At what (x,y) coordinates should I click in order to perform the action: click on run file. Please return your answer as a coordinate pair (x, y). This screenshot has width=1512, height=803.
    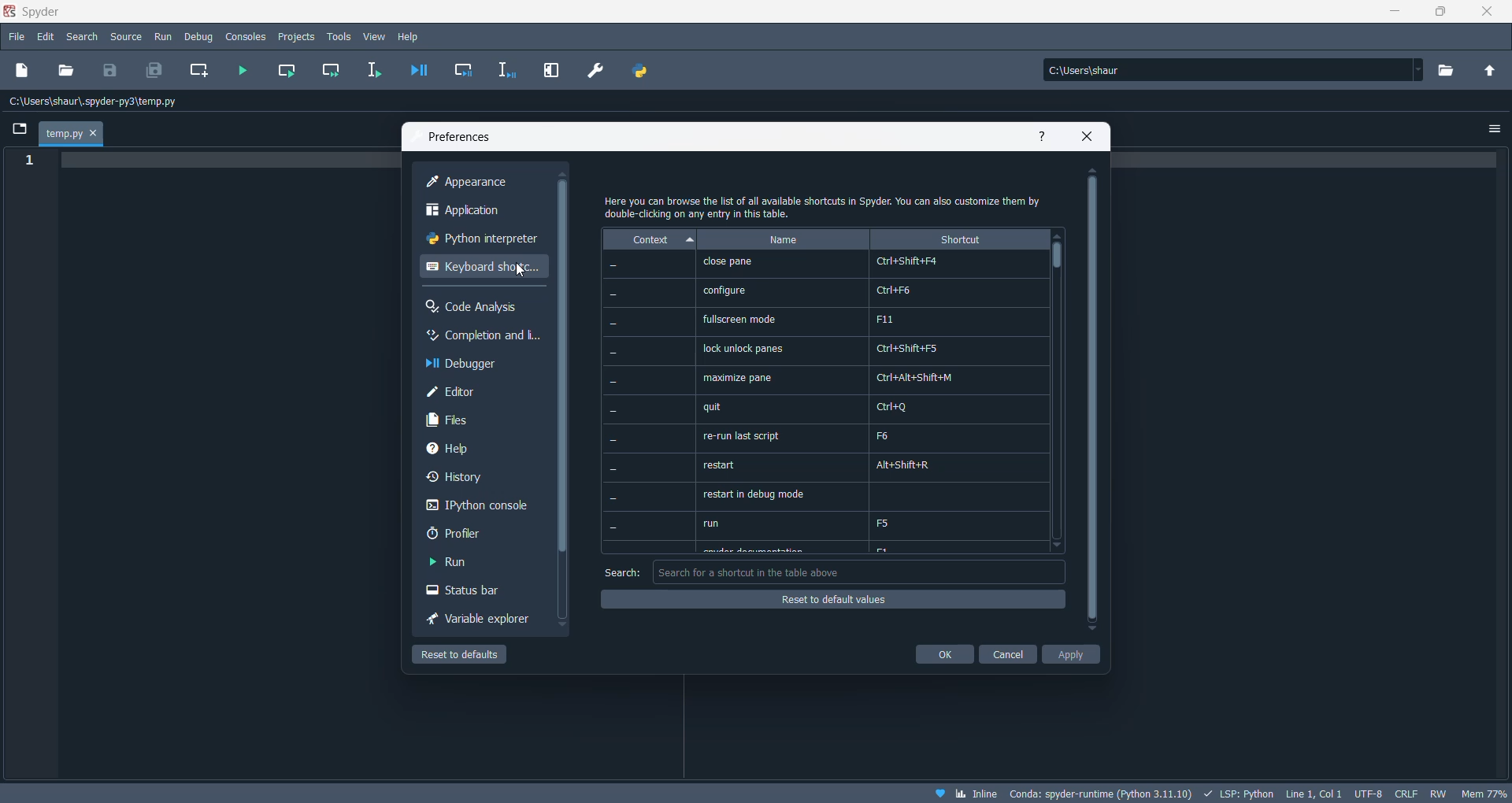
    Looking at the image, I should click on (245, 72).